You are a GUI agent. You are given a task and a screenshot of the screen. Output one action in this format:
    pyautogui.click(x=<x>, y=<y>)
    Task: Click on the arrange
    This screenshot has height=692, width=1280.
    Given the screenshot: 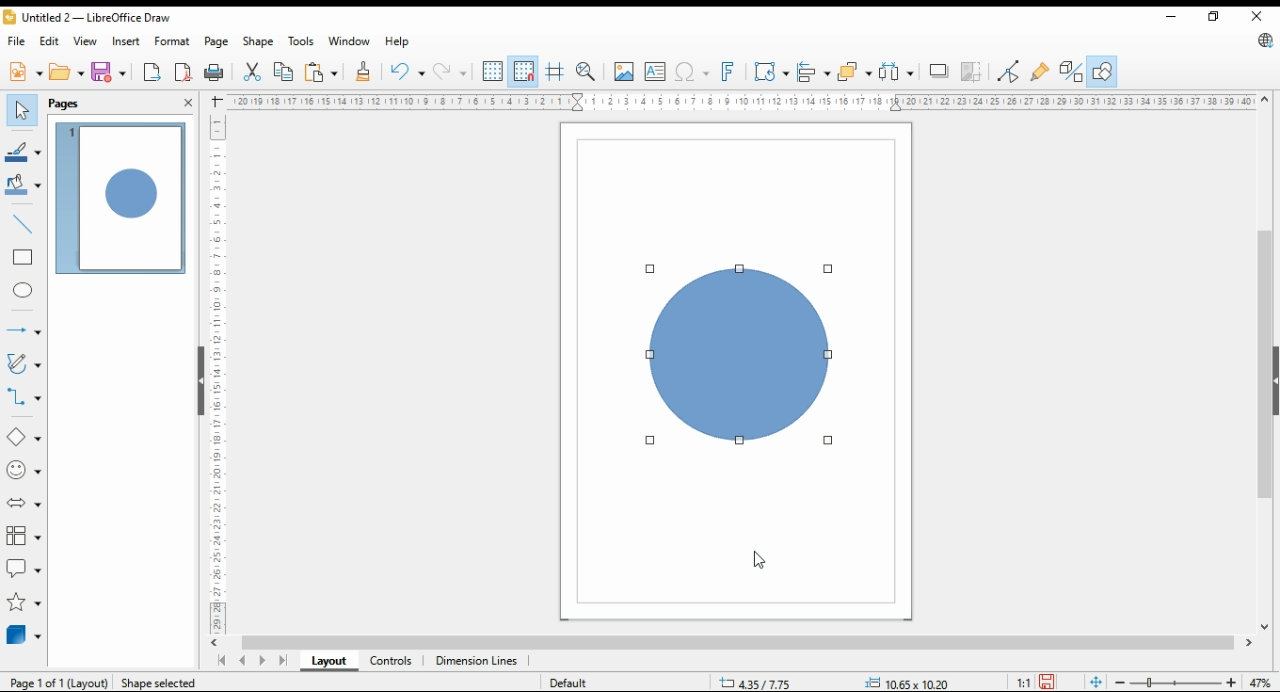 What is the action you would take?
    pyautogui.click(x=854, y=71)
    